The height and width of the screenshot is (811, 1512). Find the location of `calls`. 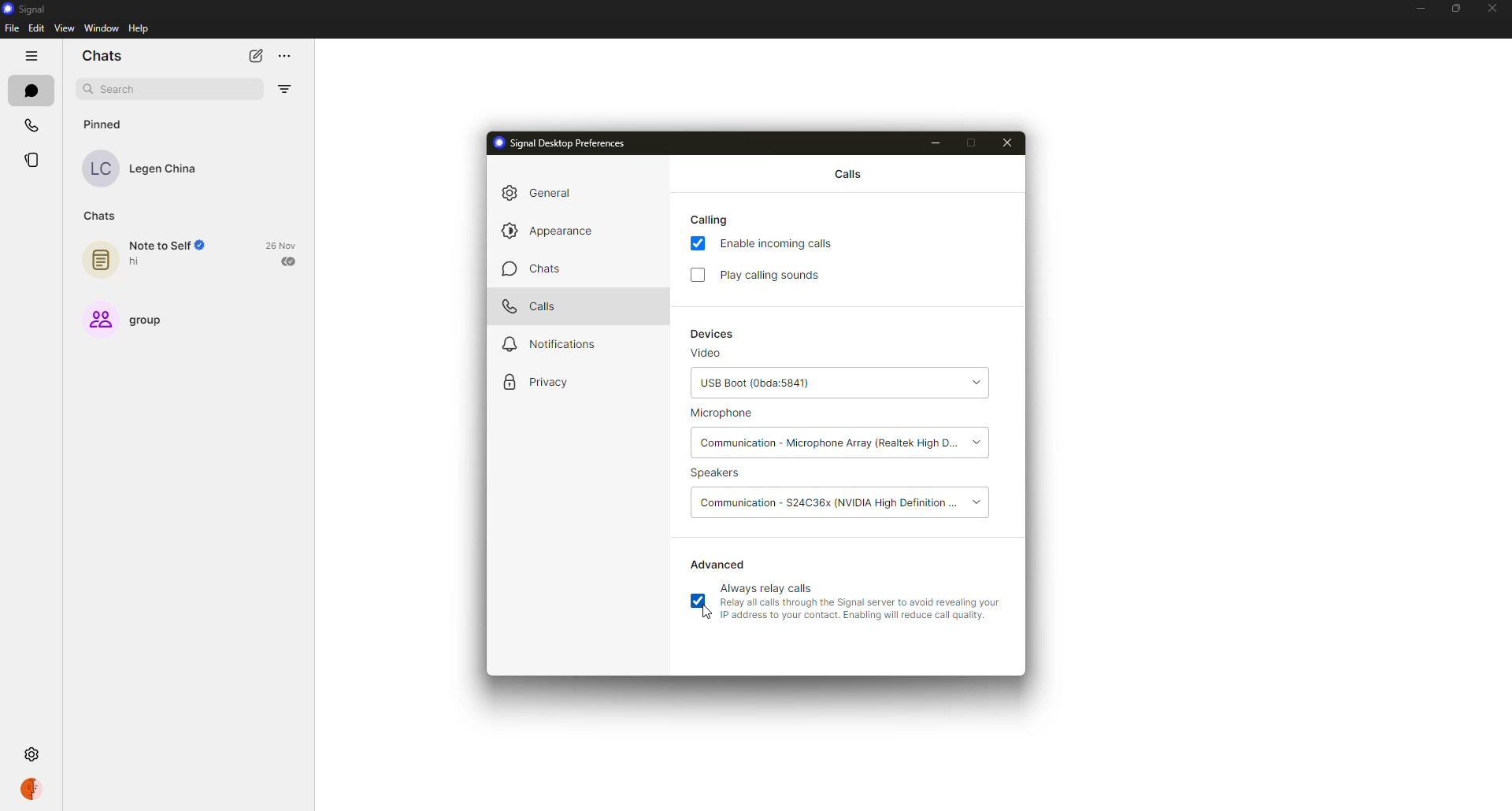

calls is located at coordinates (29, 124).